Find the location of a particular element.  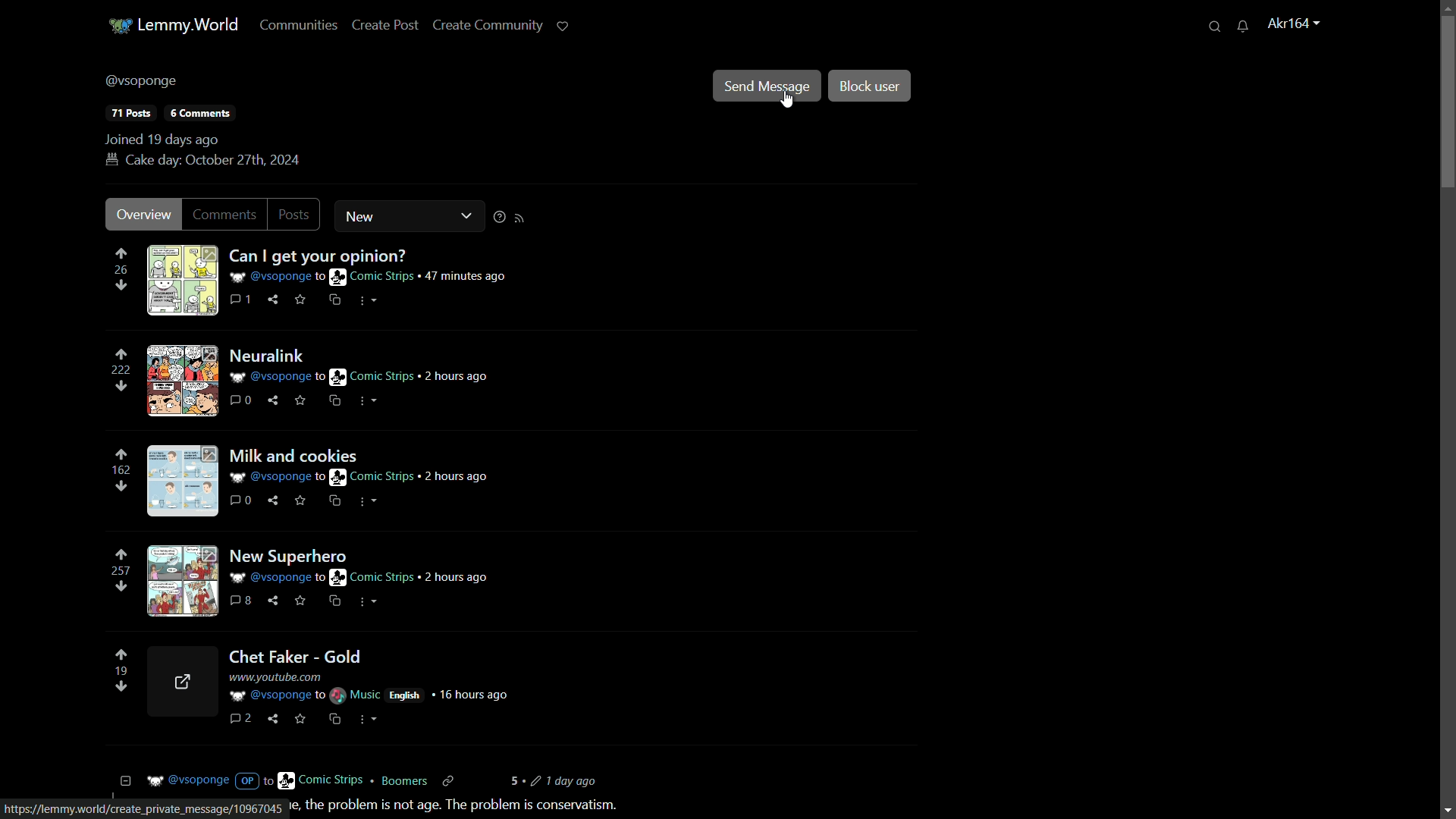

comments is located at coordinates (243, 299).